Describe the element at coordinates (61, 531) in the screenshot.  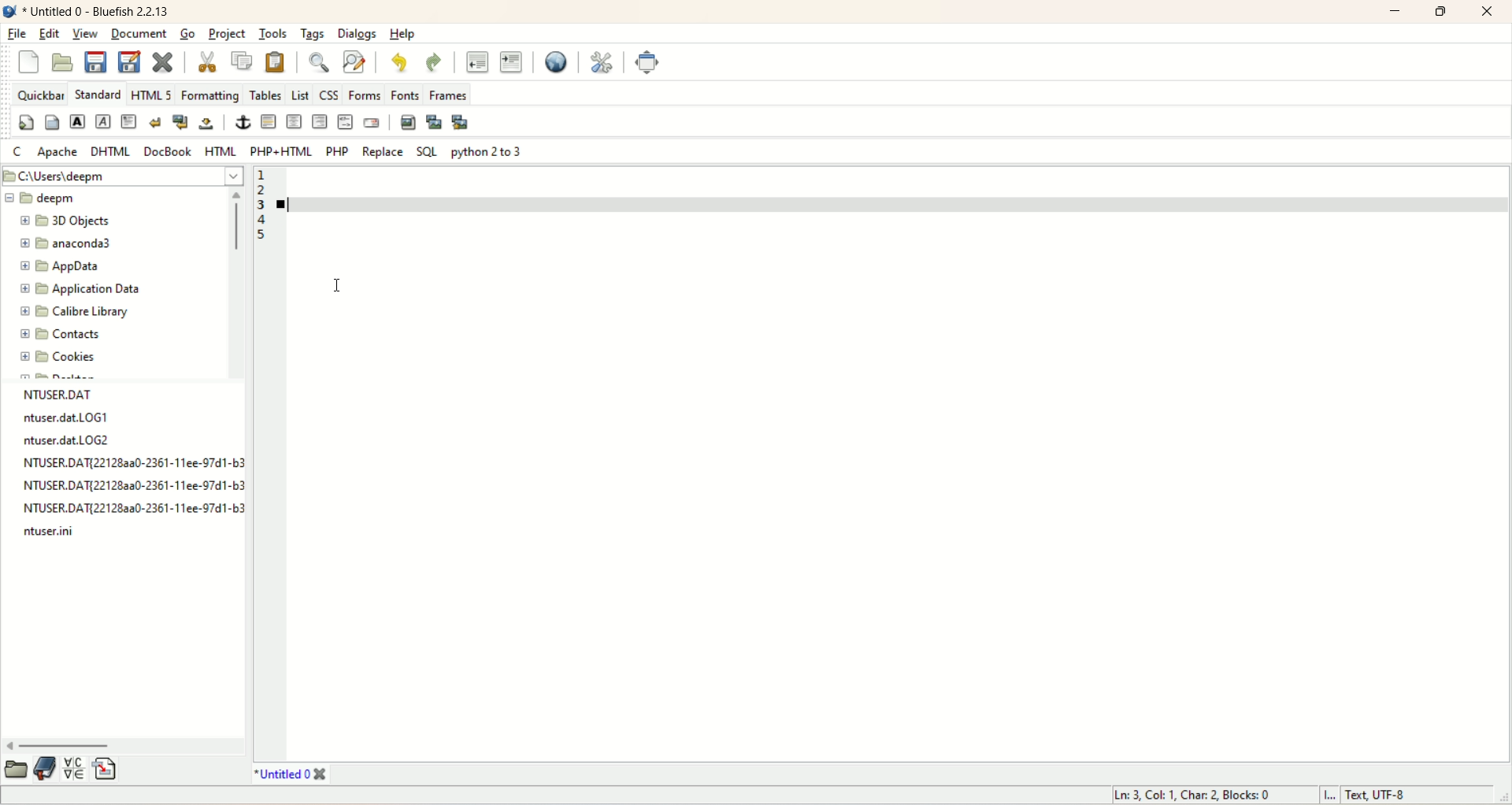
I see `file name` at that location.